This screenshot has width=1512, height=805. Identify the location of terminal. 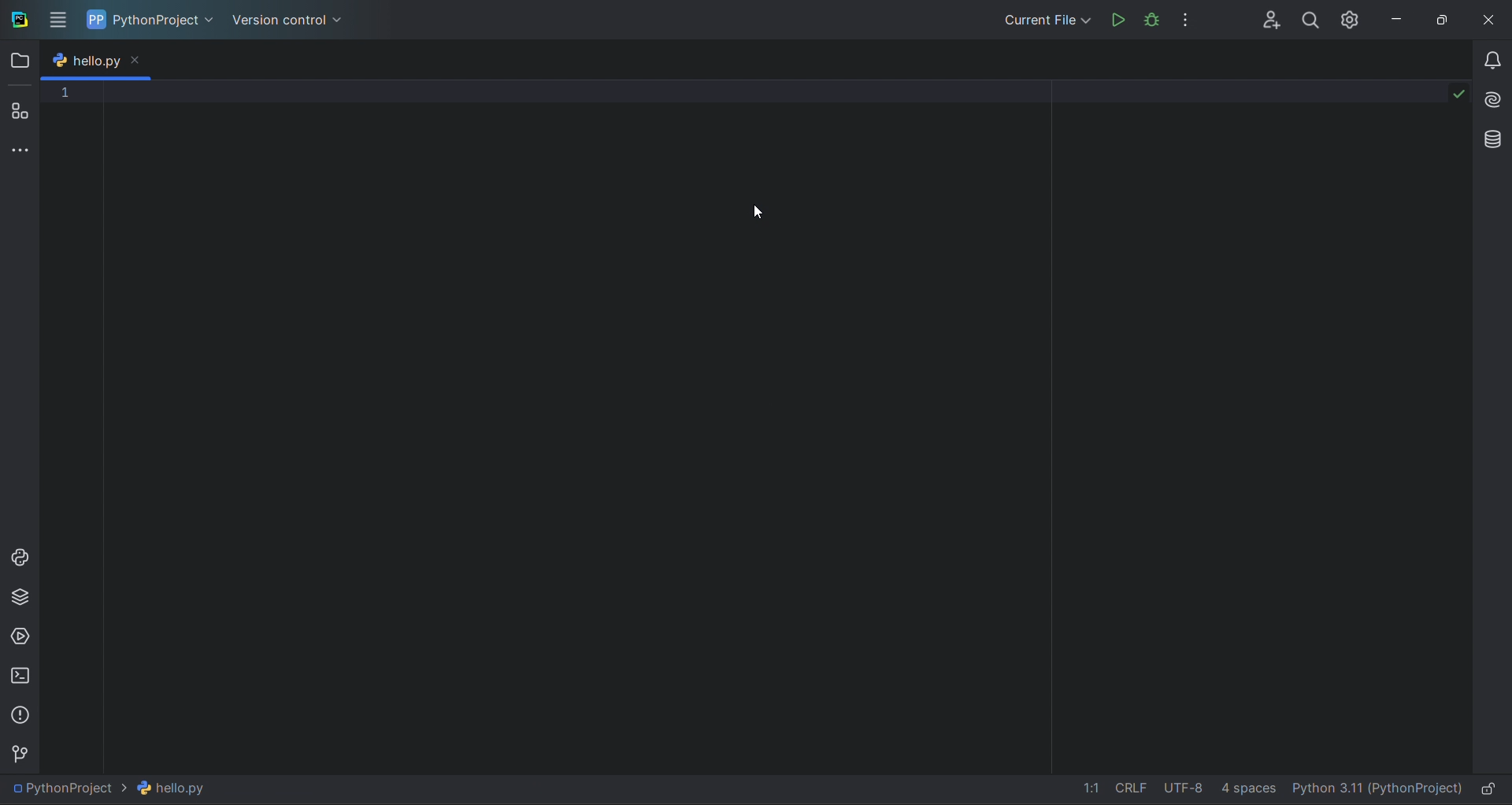
(18, 673).